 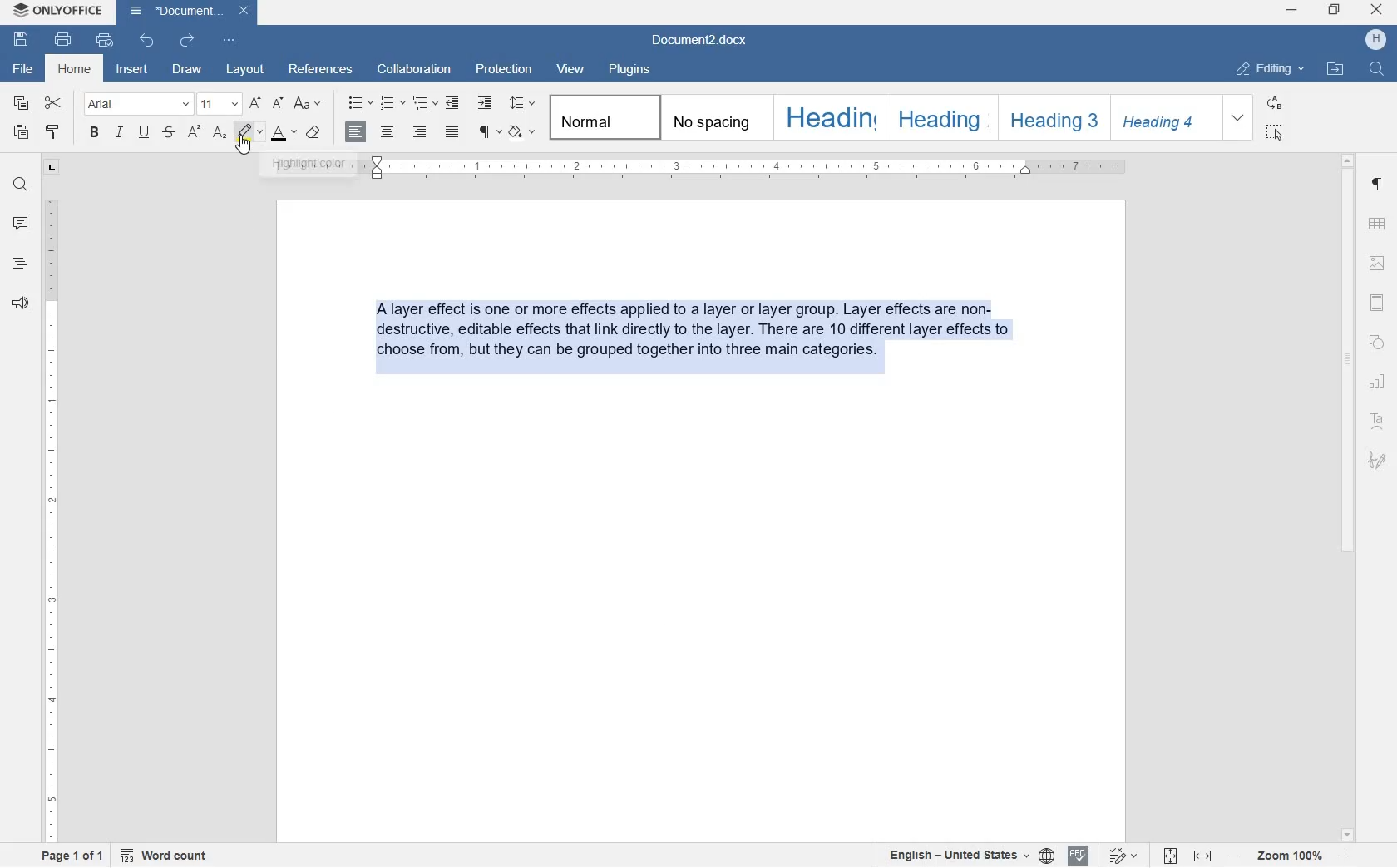 What do you see at coordinates (1346, 497) in the screenshot?
I see `scrollbar` at bounding box center [1346, 497].